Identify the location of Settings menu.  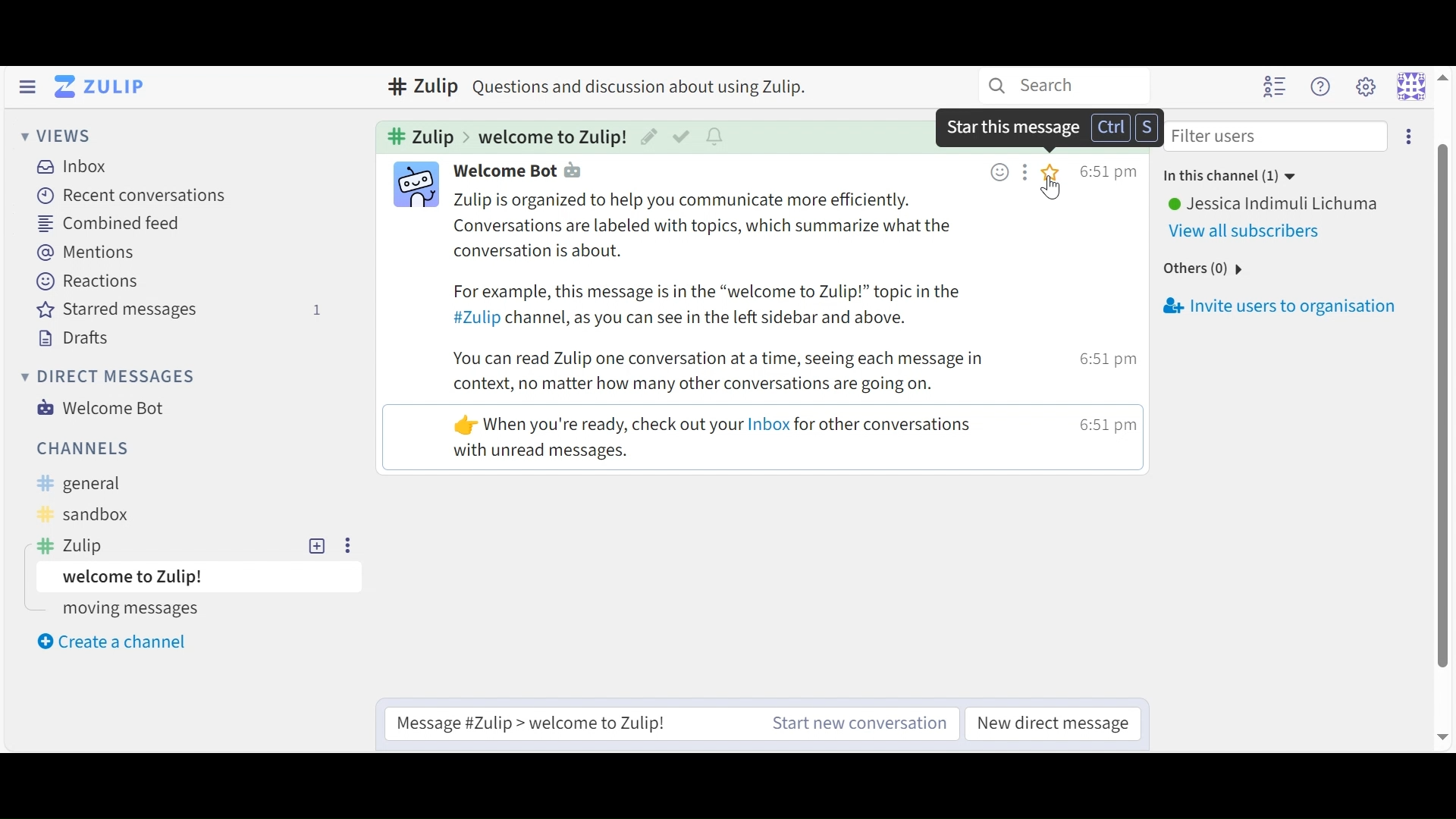
(1369, 86).